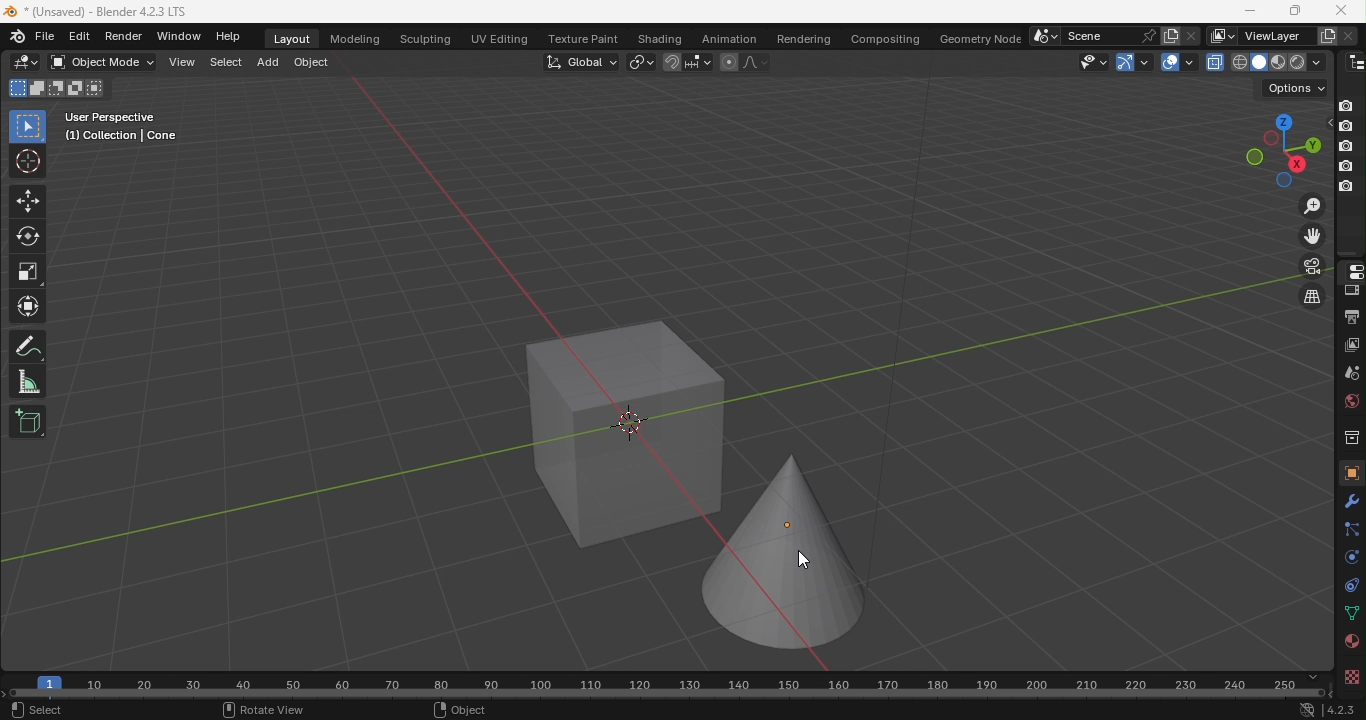 This screenshot has height=720, width=1366. What do you see at coordinates (75, 89) in the screenshot?
I see `Mode` at bounding box center [75, 89].